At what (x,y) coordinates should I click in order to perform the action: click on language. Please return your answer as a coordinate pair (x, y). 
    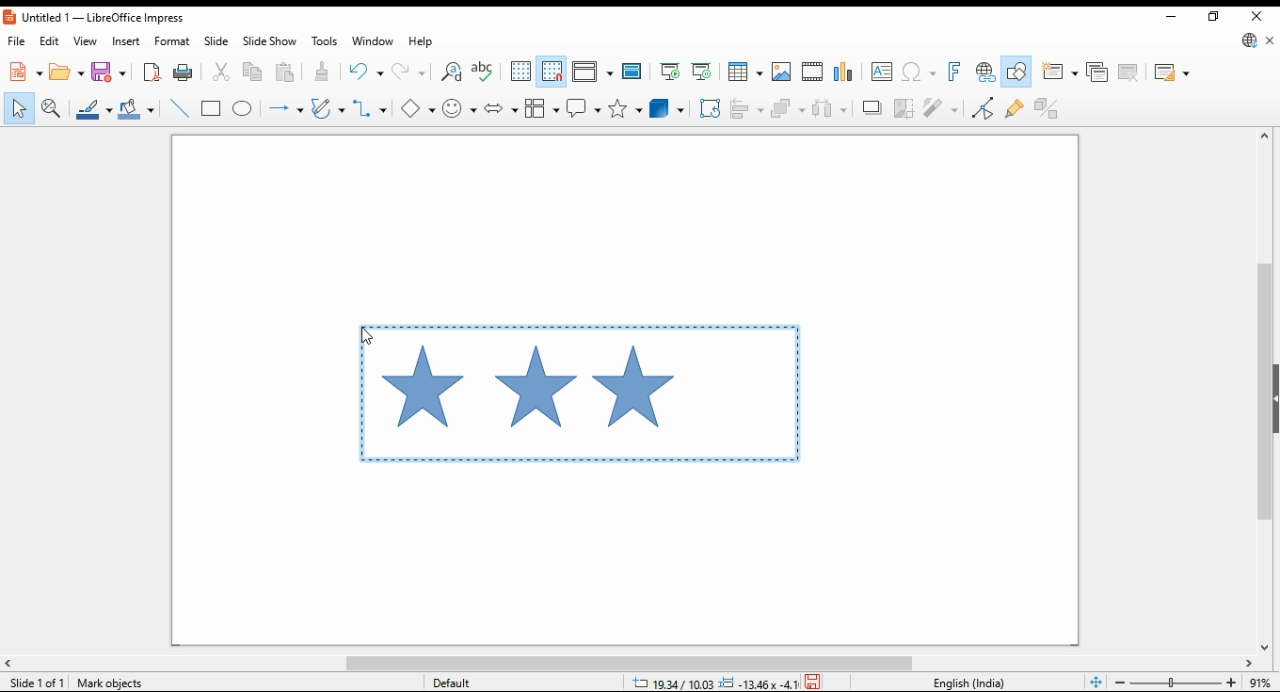
    Looking at the image, I should click on (974, 682).